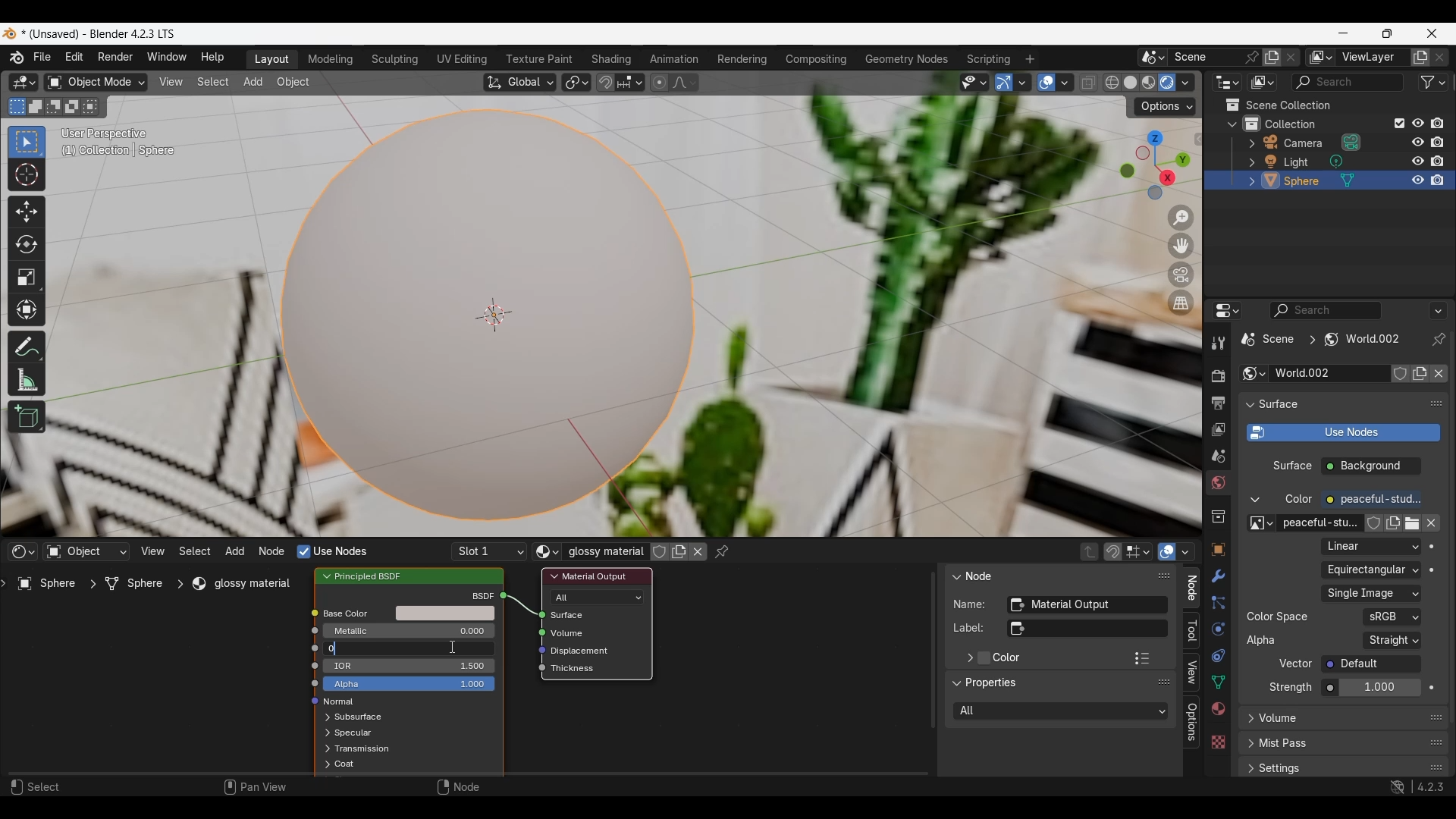 The height and width of the screenshot is (819, 1456). Describe the element at coordinates (452, 647) in the screenshot. I see `Cursor` at that location.